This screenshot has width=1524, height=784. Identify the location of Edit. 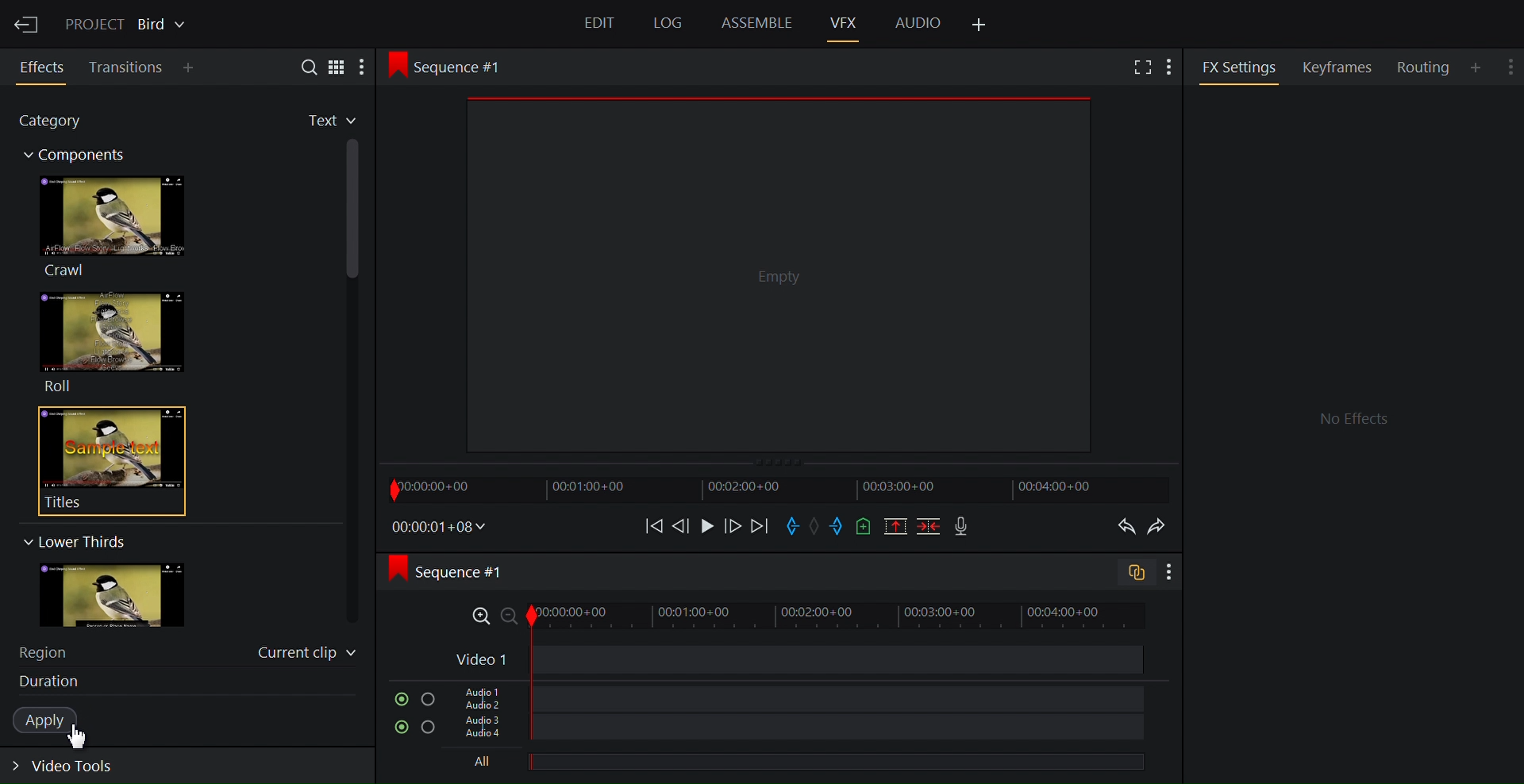
(602, 25).